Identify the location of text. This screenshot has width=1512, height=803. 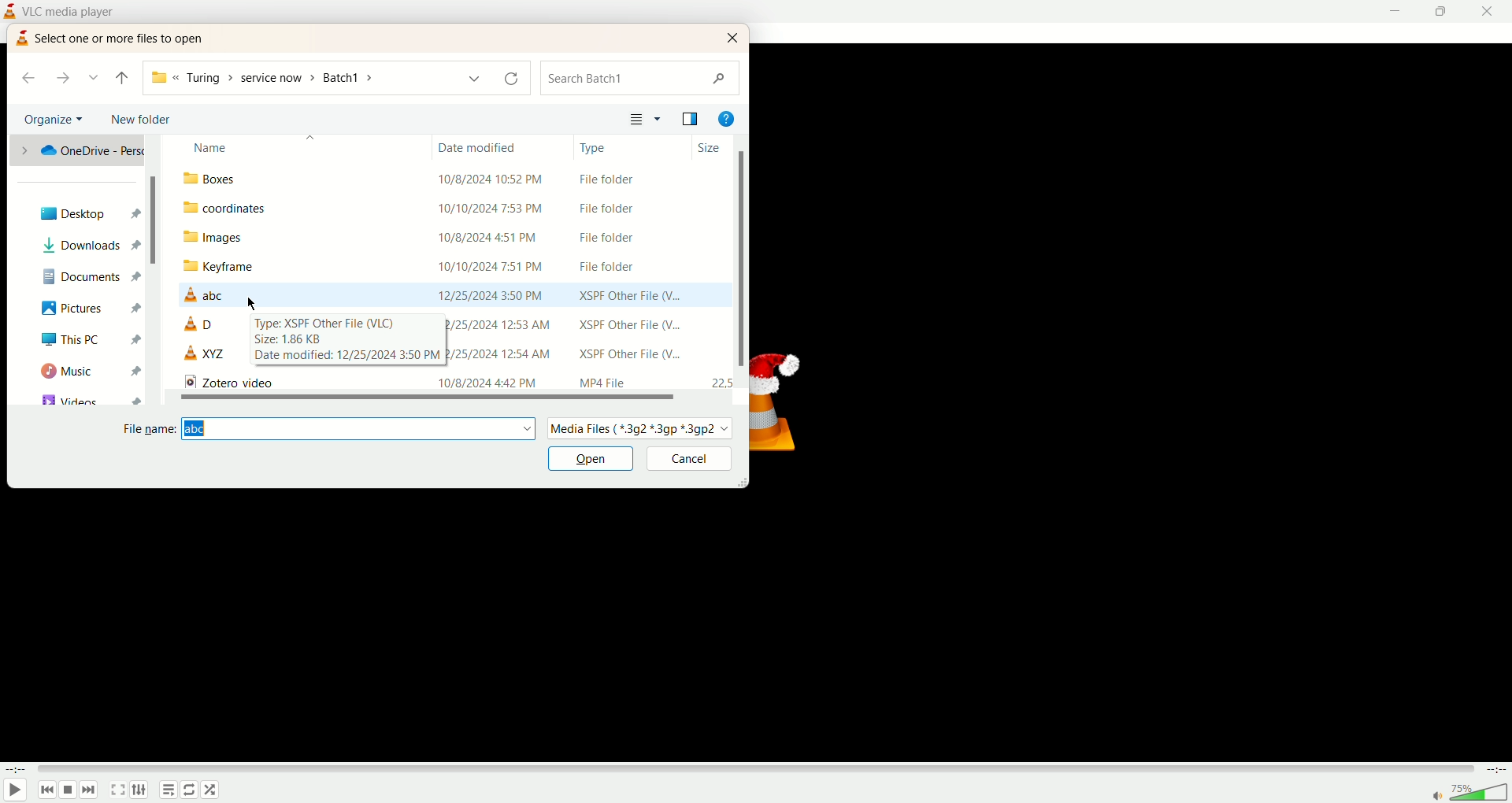
(120, 37).